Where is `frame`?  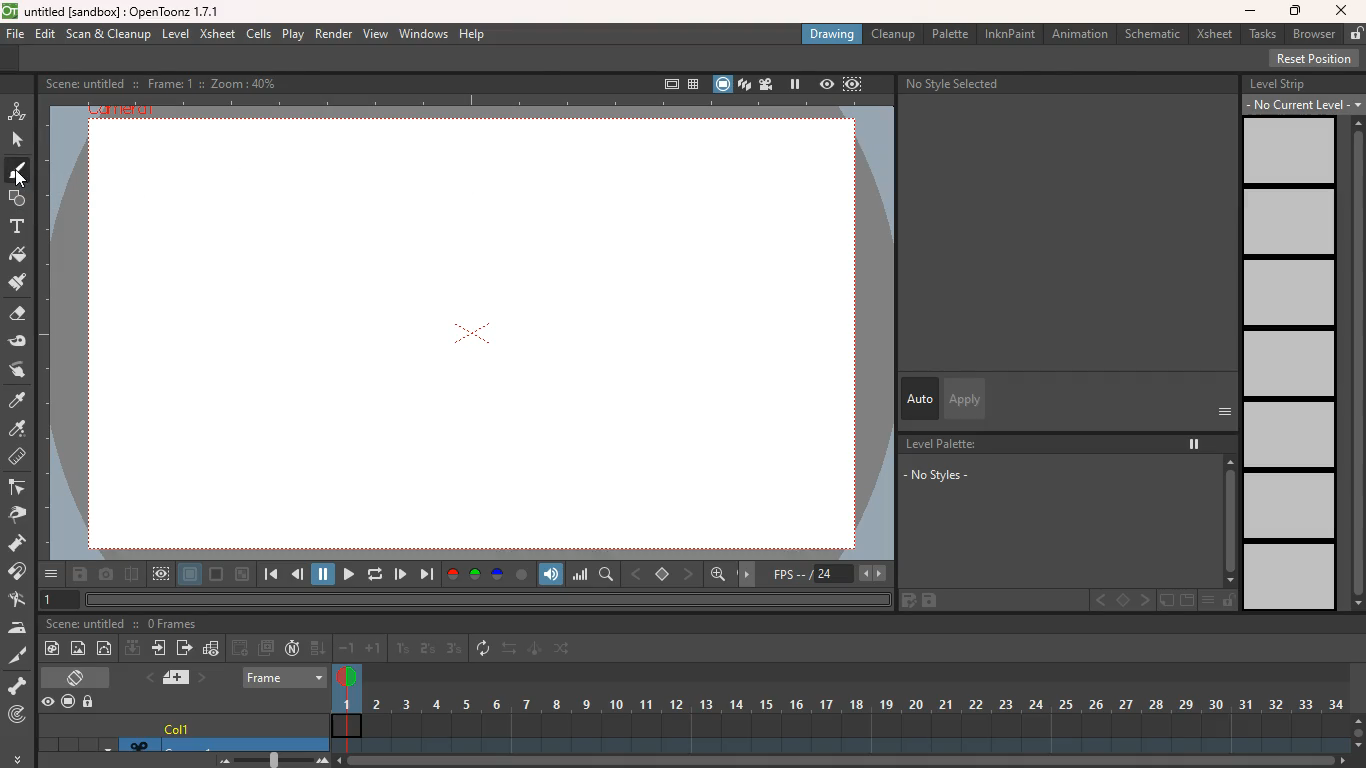 frame is located at coordinates (285, 675).